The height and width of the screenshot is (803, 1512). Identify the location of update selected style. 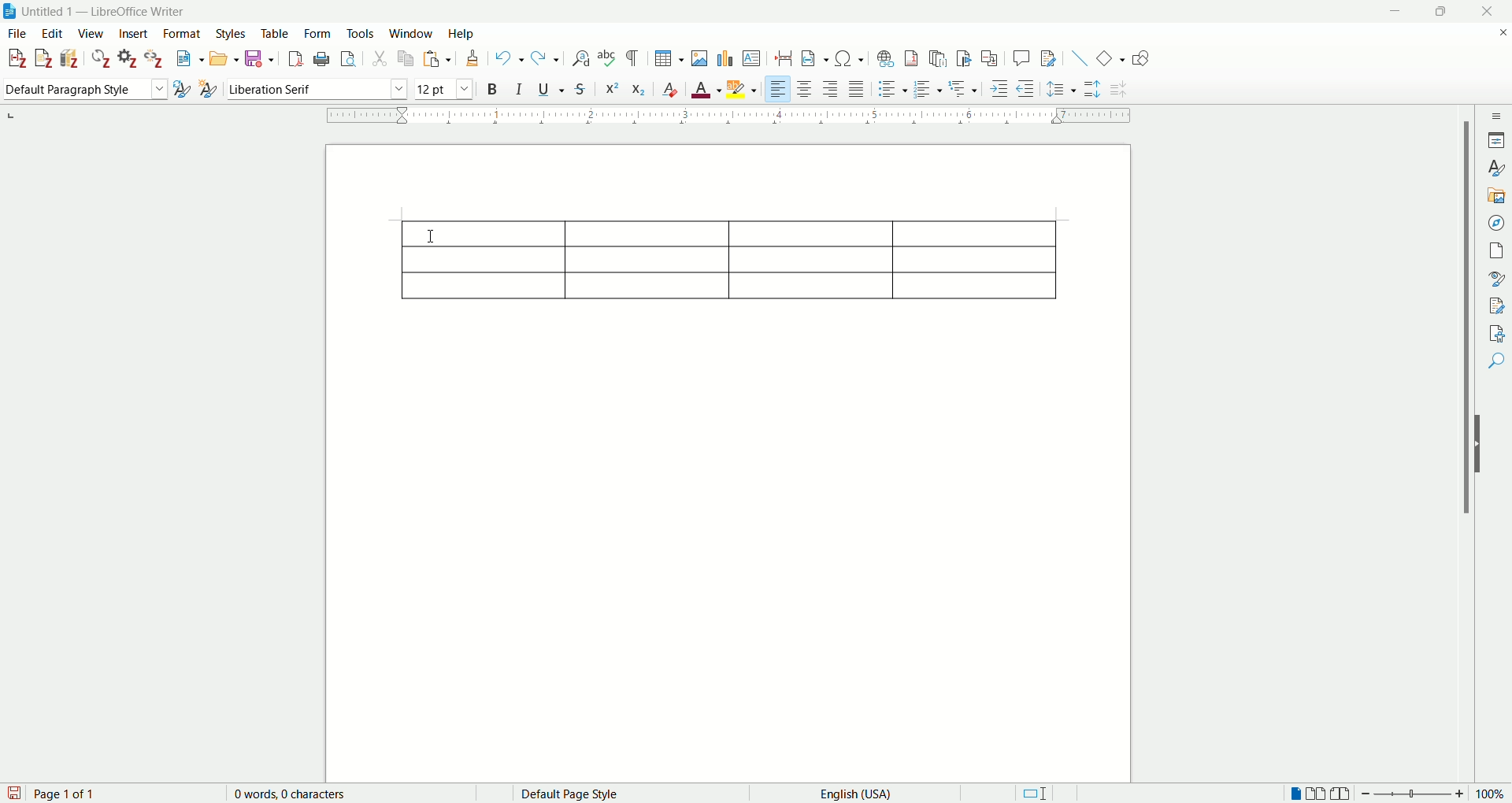
(180, 90).